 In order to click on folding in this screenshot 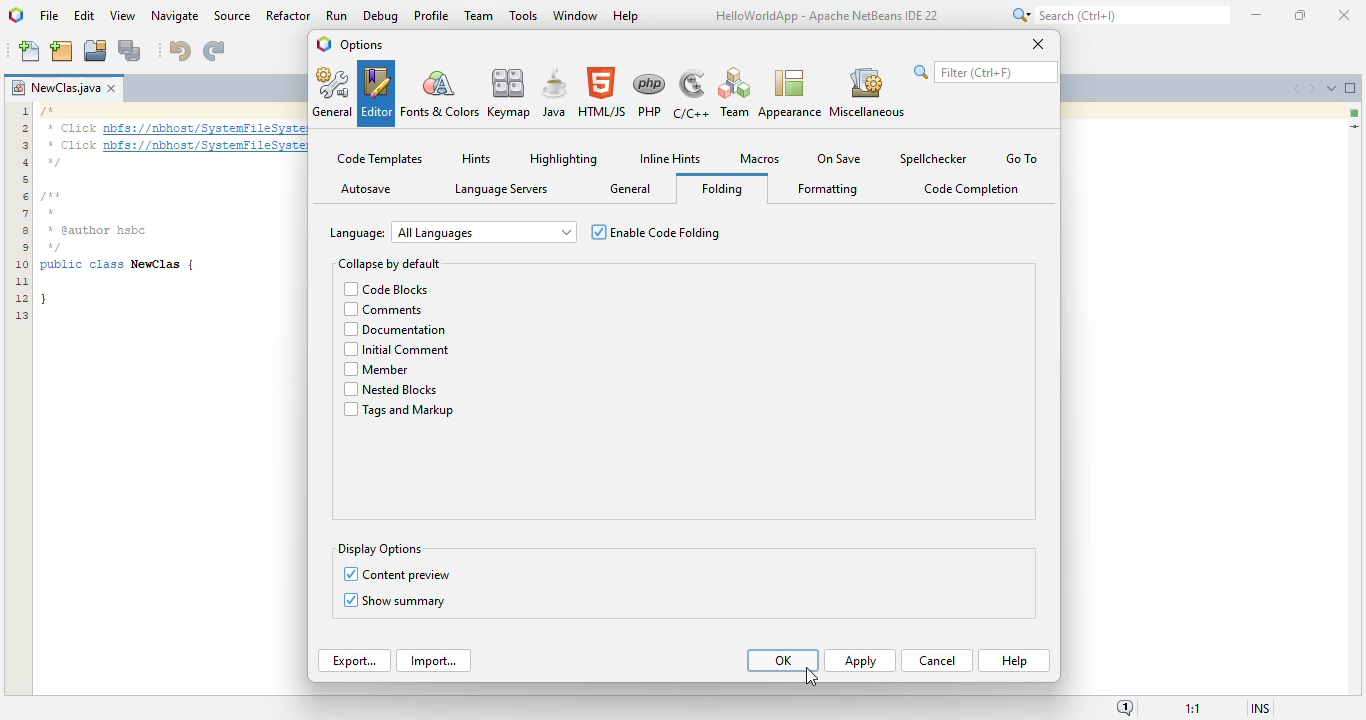, I will do `click(721, 189)`.